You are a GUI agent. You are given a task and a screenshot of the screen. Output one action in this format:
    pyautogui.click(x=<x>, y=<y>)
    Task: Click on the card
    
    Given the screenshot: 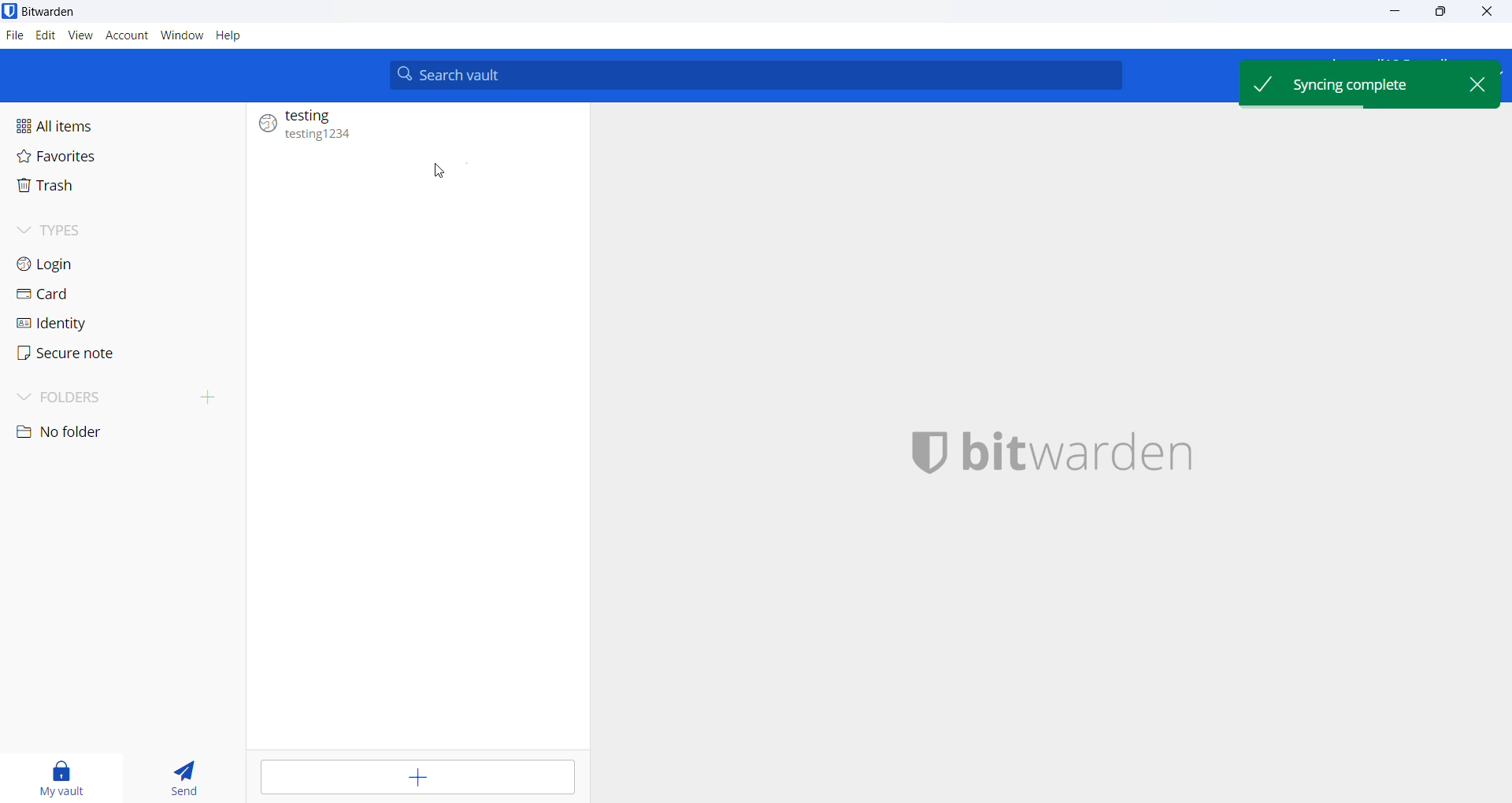 What is the action you would take?
    pyautogui.click(x=76, y=294)
    